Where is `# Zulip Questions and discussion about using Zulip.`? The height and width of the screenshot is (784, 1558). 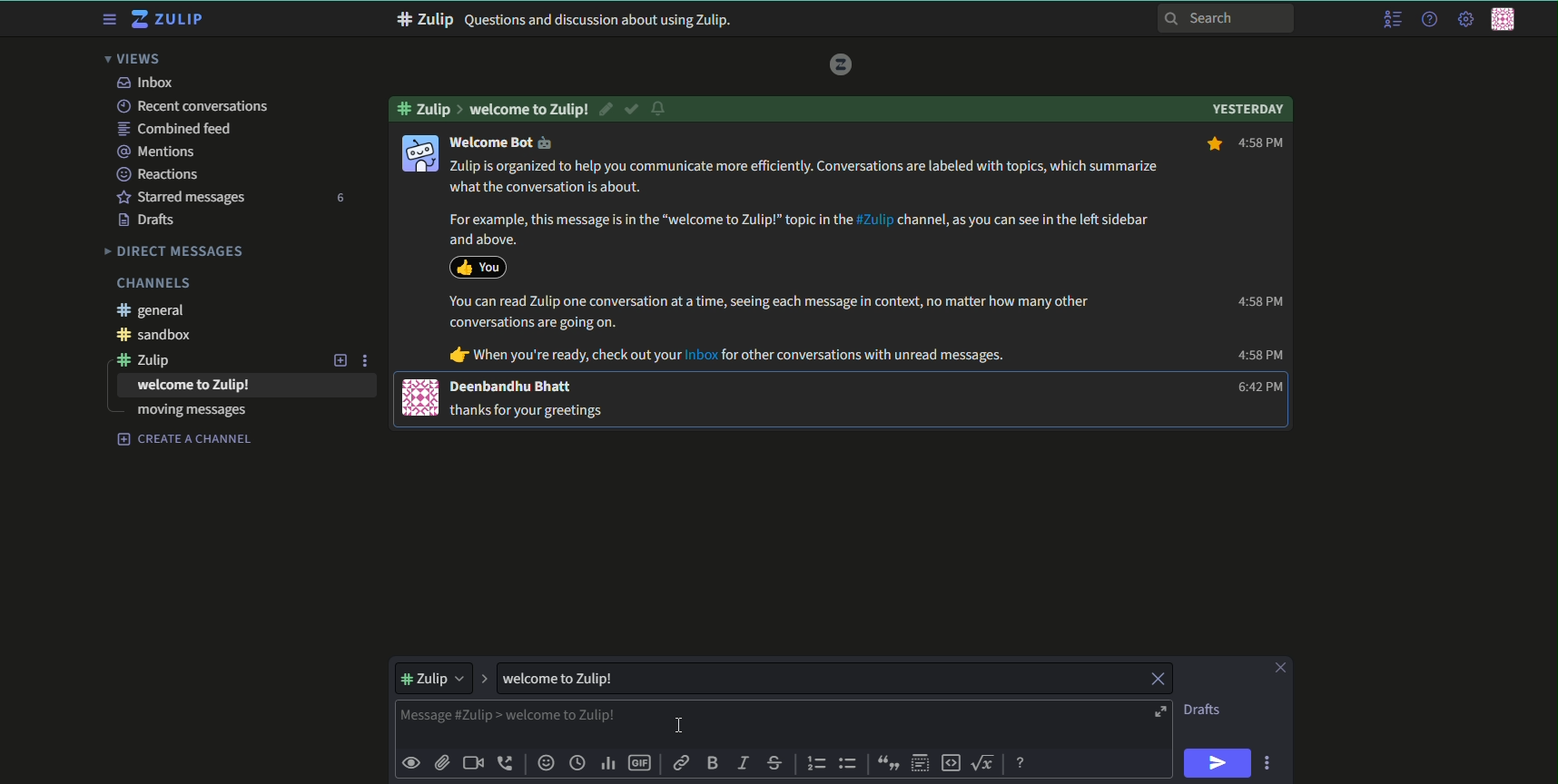
# Zulip Questions and discussion about using Zulip. is located at coordinates (570, 20).